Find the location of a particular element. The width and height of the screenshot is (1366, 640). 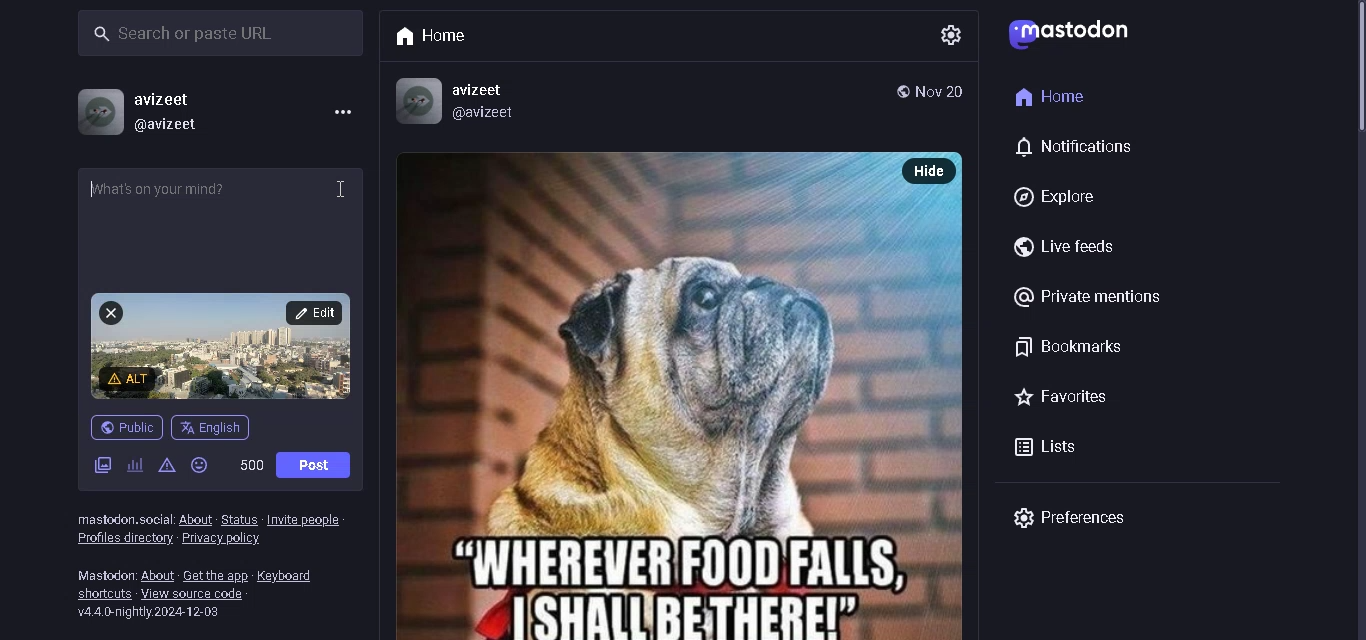

Profile Picture is located at coordinates (418, 99).